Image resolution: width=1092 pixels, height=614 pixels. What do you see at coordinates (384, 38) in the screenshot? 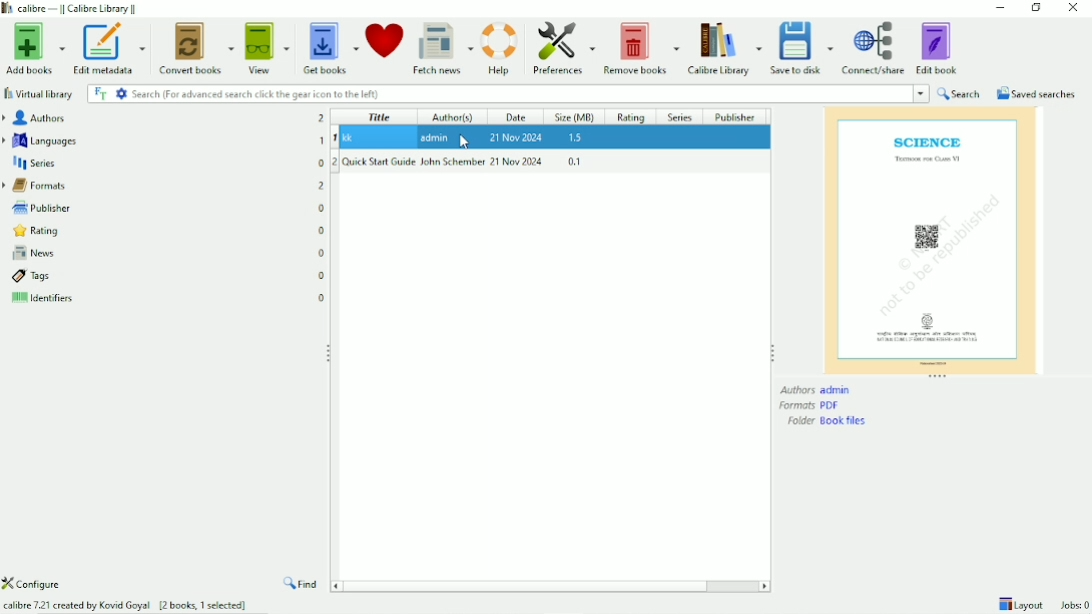
I see `Donate` at bounding box center [384, 38].